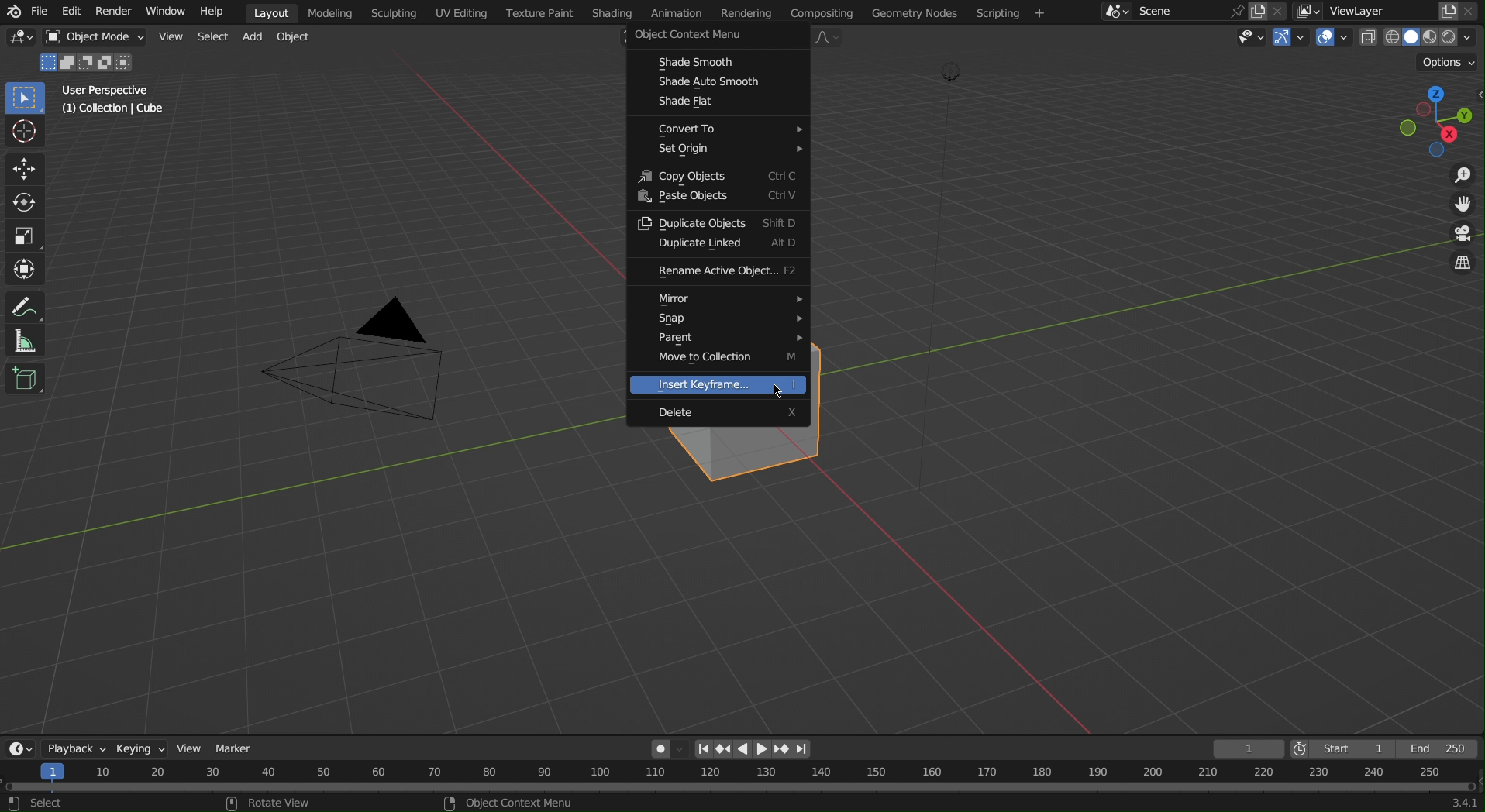  What do you see at coordinates (612, 12) in the screenshot?
I see `Shading` at bounding box center [612, 12].